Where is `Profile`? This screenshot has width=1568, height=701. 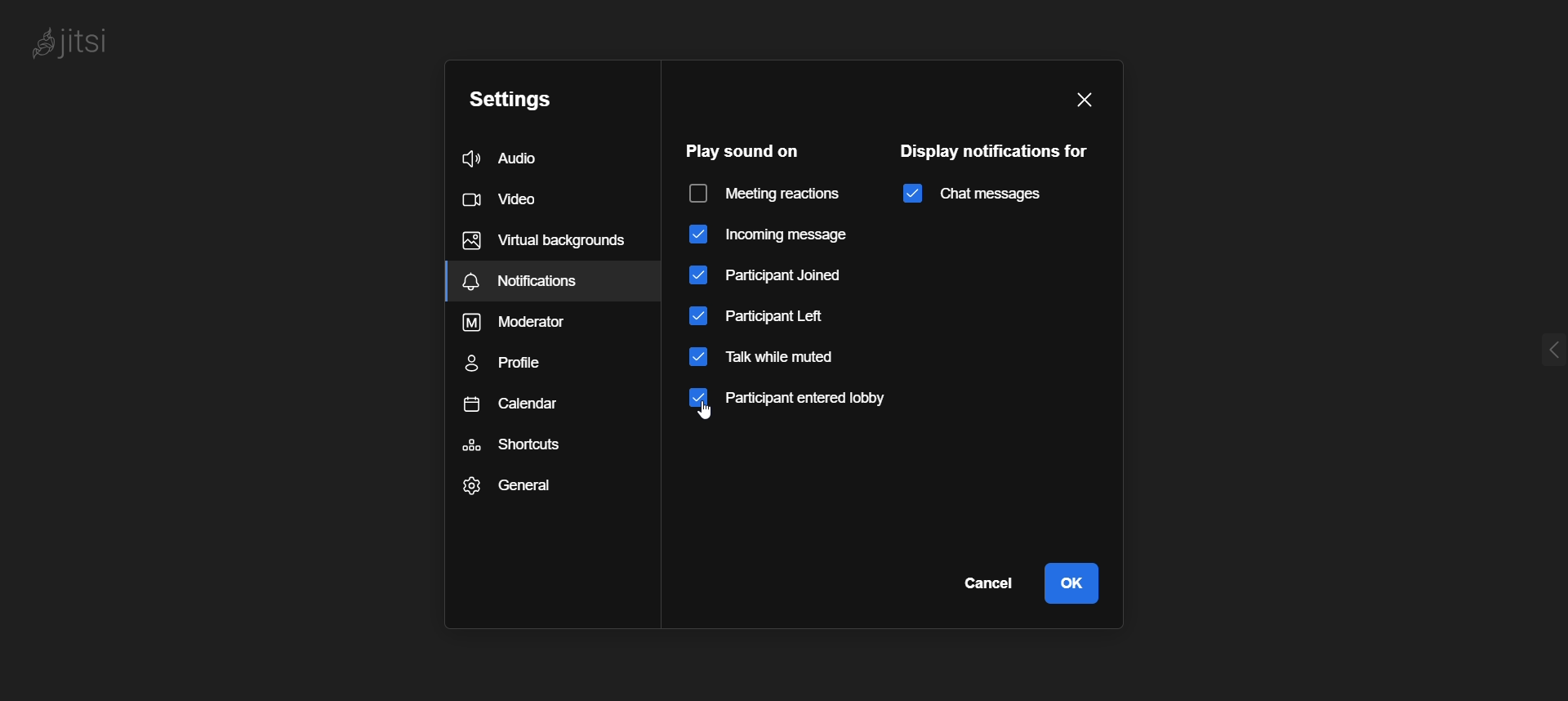 Profile is located at coordinates (517, 361).